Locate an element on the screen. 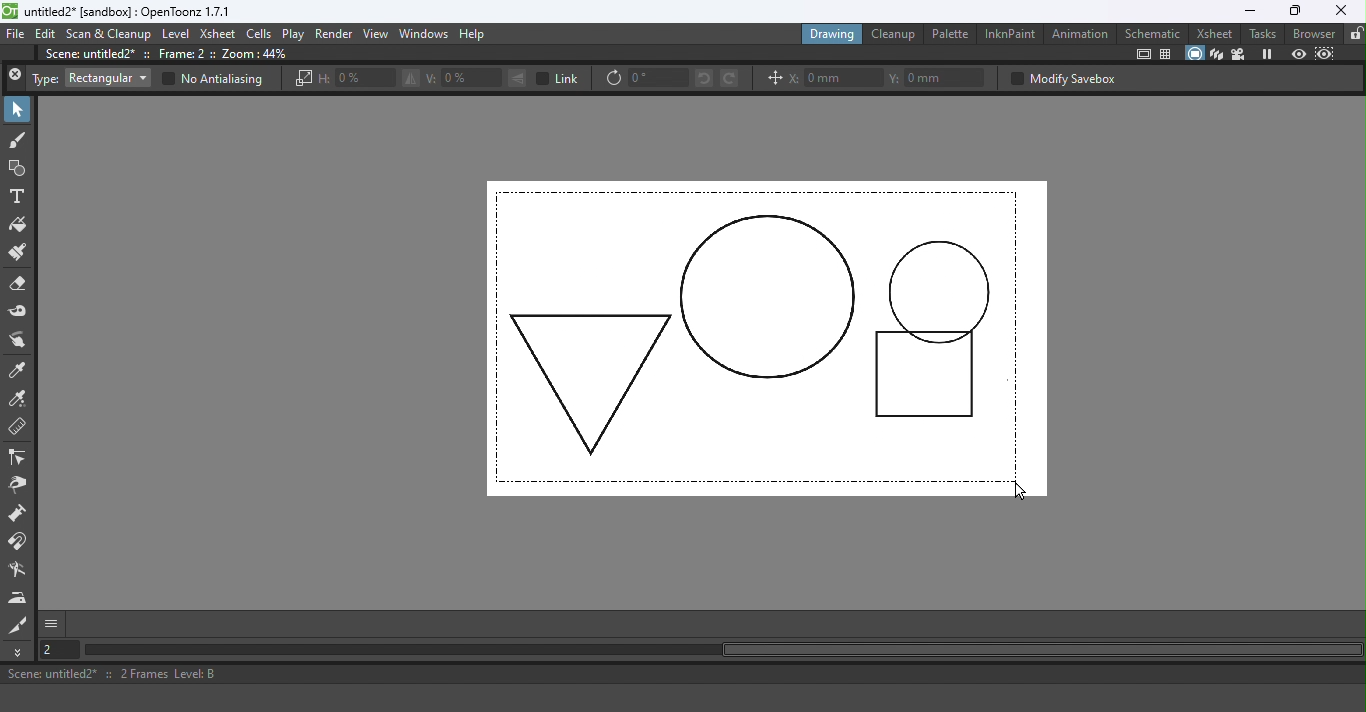 Image resolution: width=1366 pixels, height=712 pixels. Tasks is located at coordinates (1262, 33).